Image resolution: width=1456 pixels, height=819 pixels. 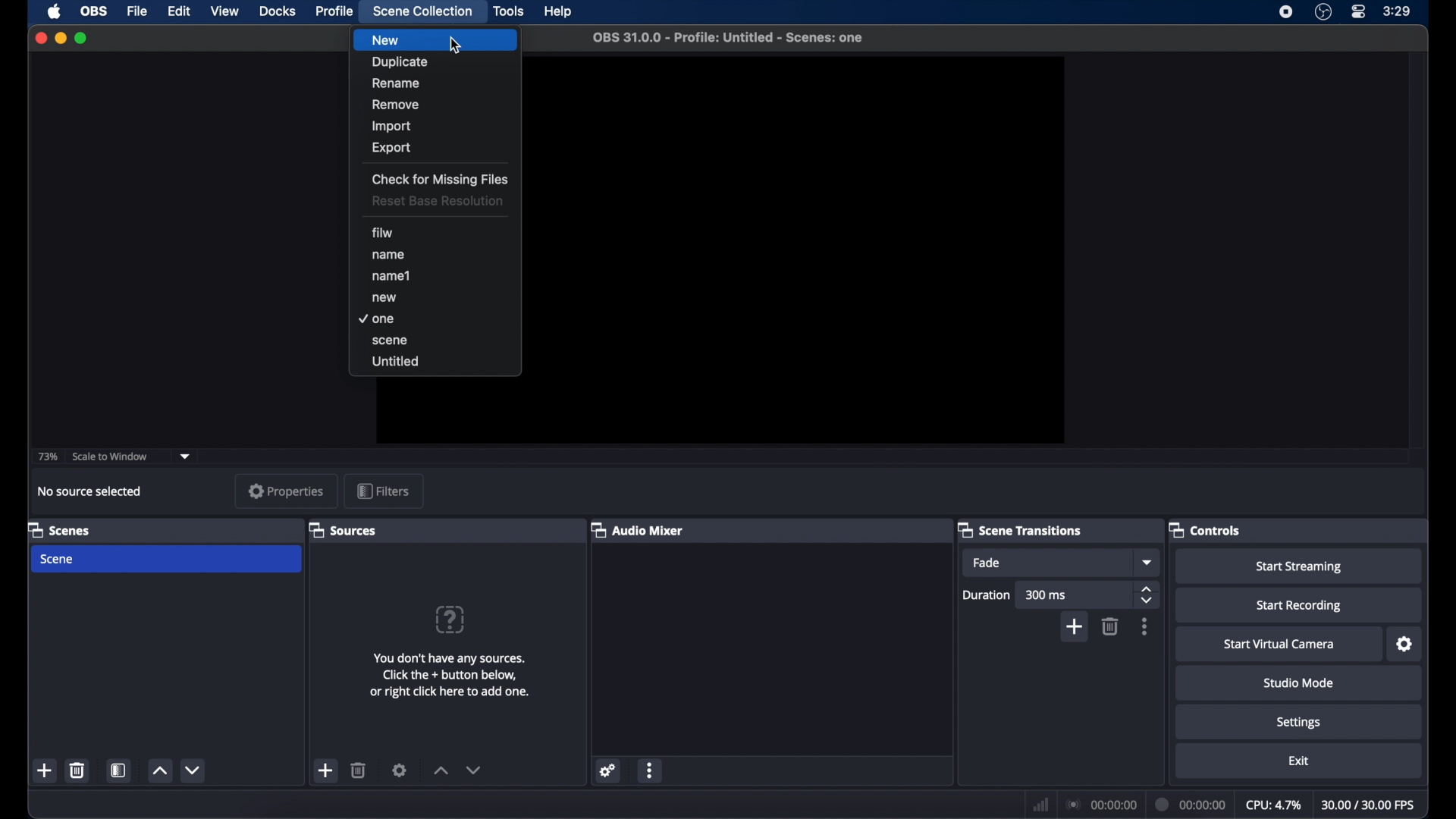 I want to click on question mark icon, so click(x=451, y=620).